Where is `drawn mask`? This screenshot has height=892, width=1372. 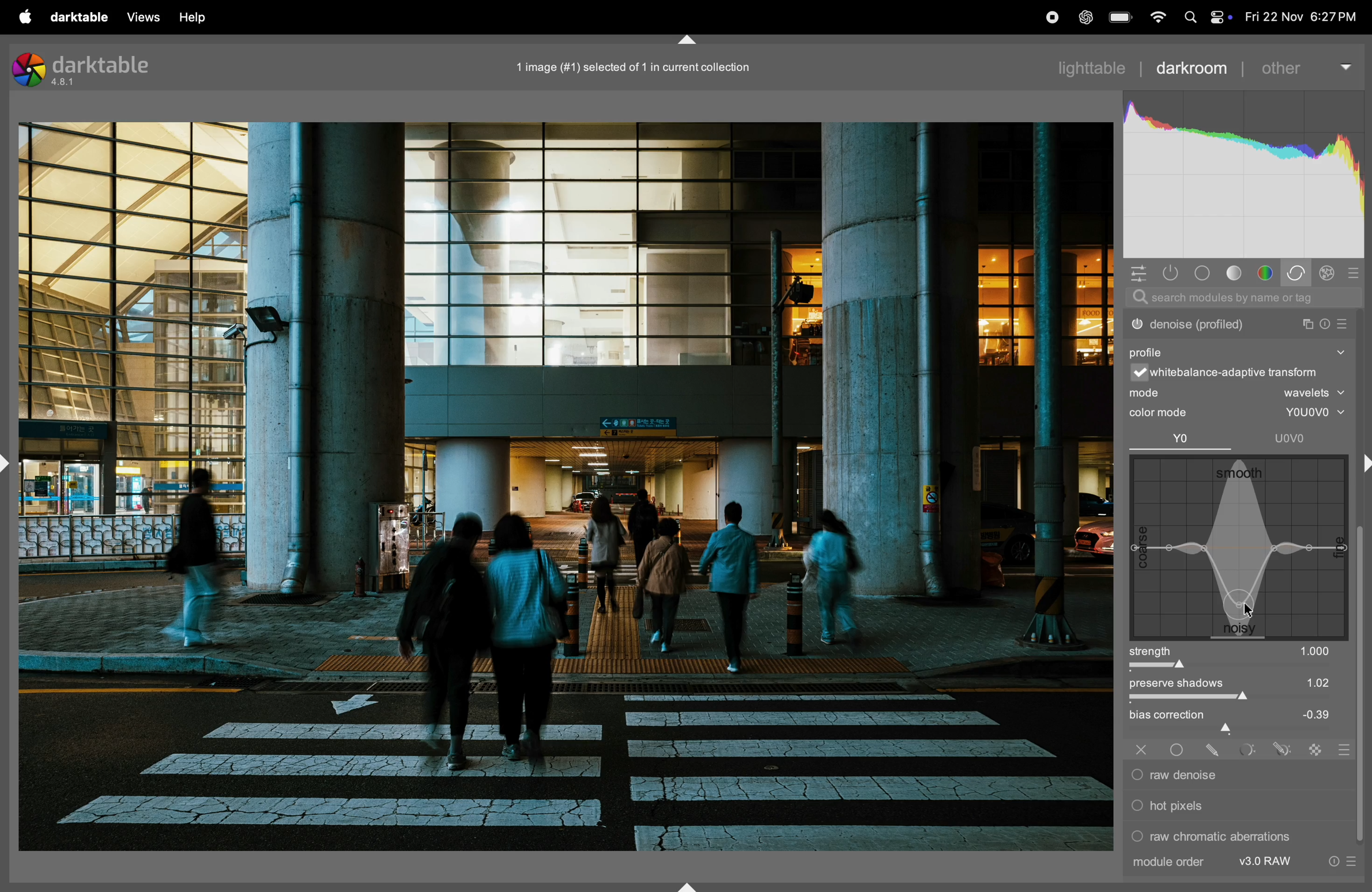 drawn mask is located at coordinates (1216, 750).